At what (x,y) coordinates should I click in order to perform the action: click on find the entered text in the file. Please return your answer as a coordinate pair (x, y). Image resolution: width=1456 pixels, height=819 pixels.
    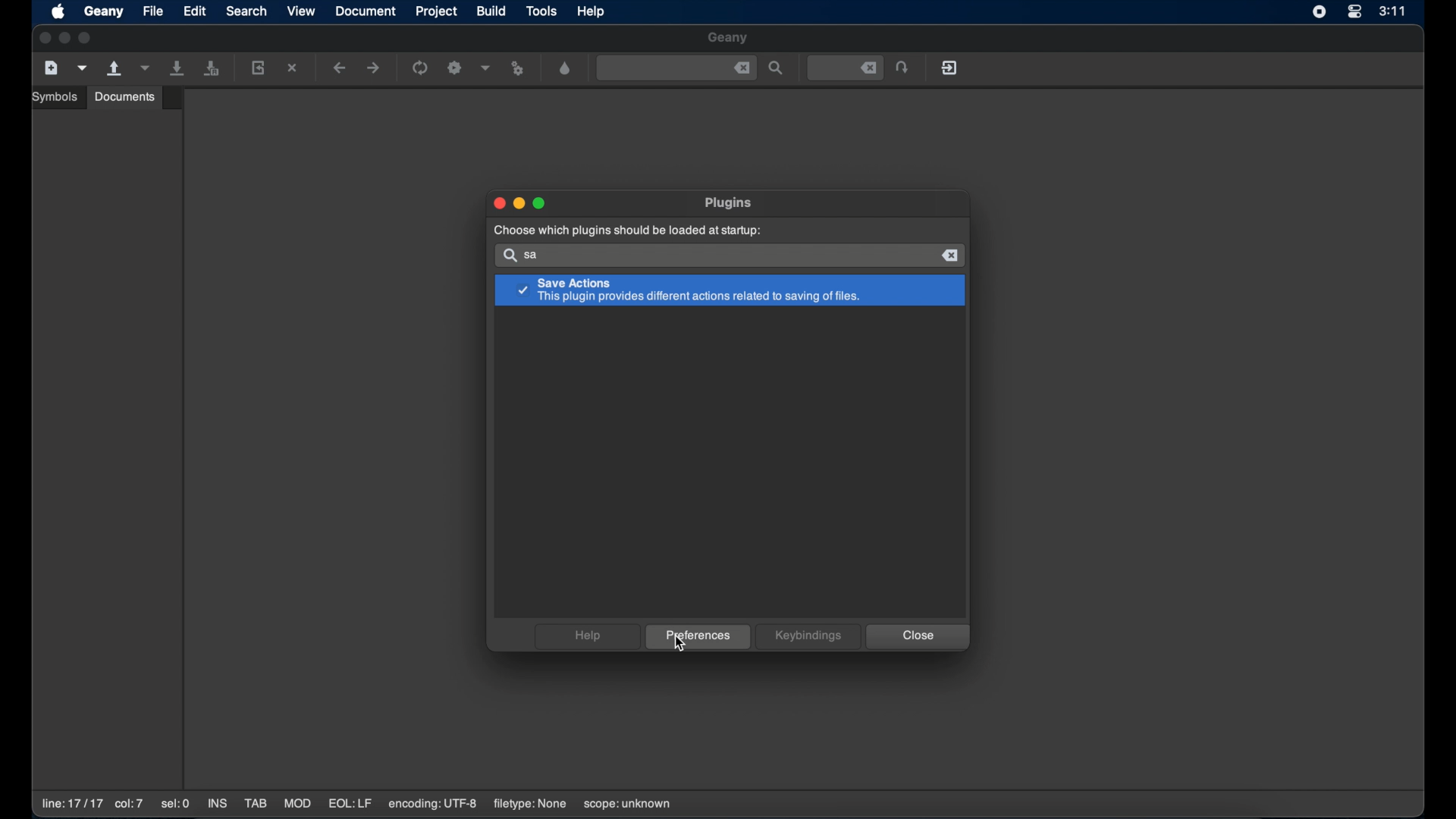
    Looking at the image, I should click on (777, 69).